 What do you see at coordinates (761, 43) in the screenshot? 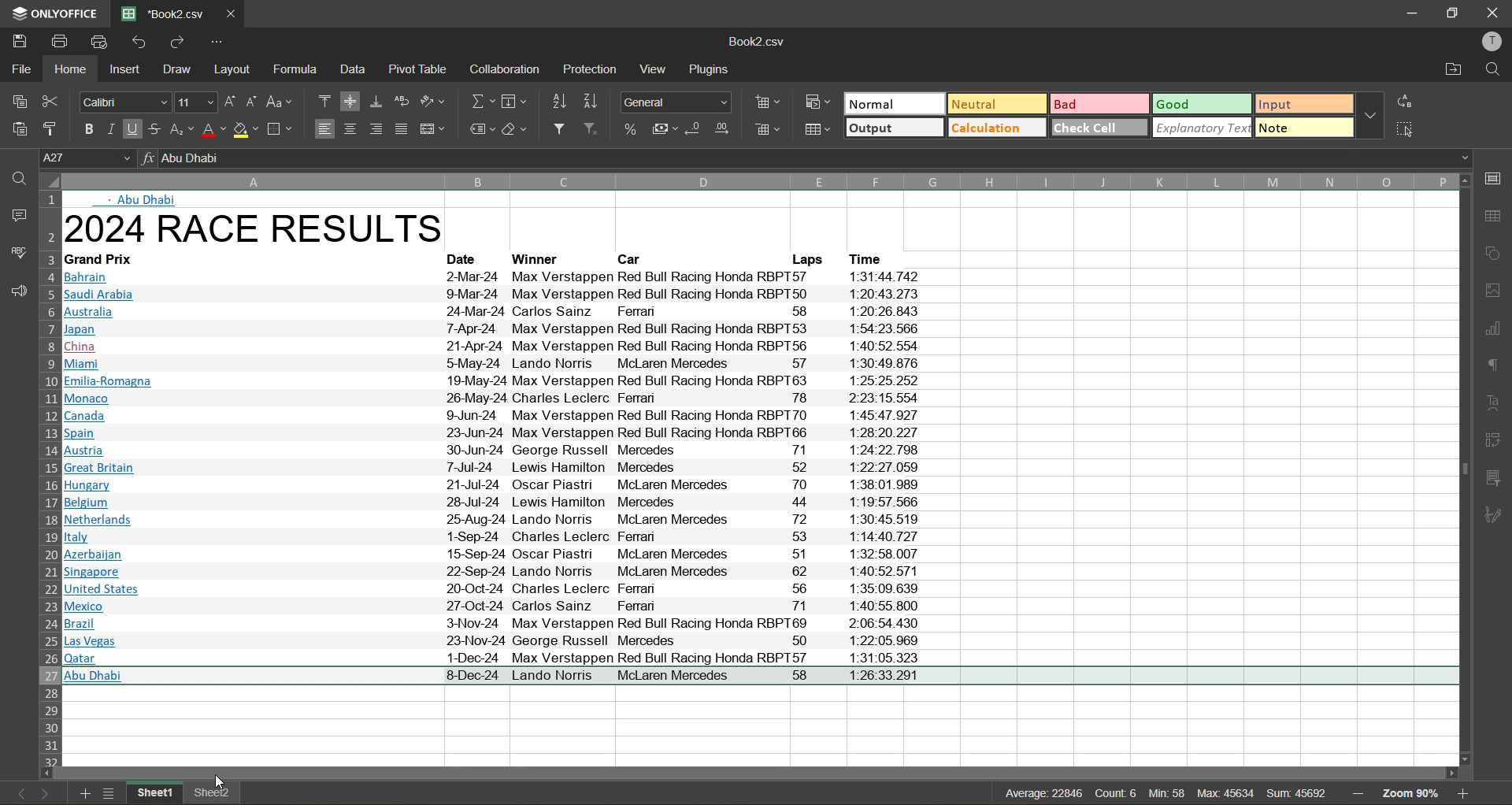
I see `file name` at bounding box center [761, 43].